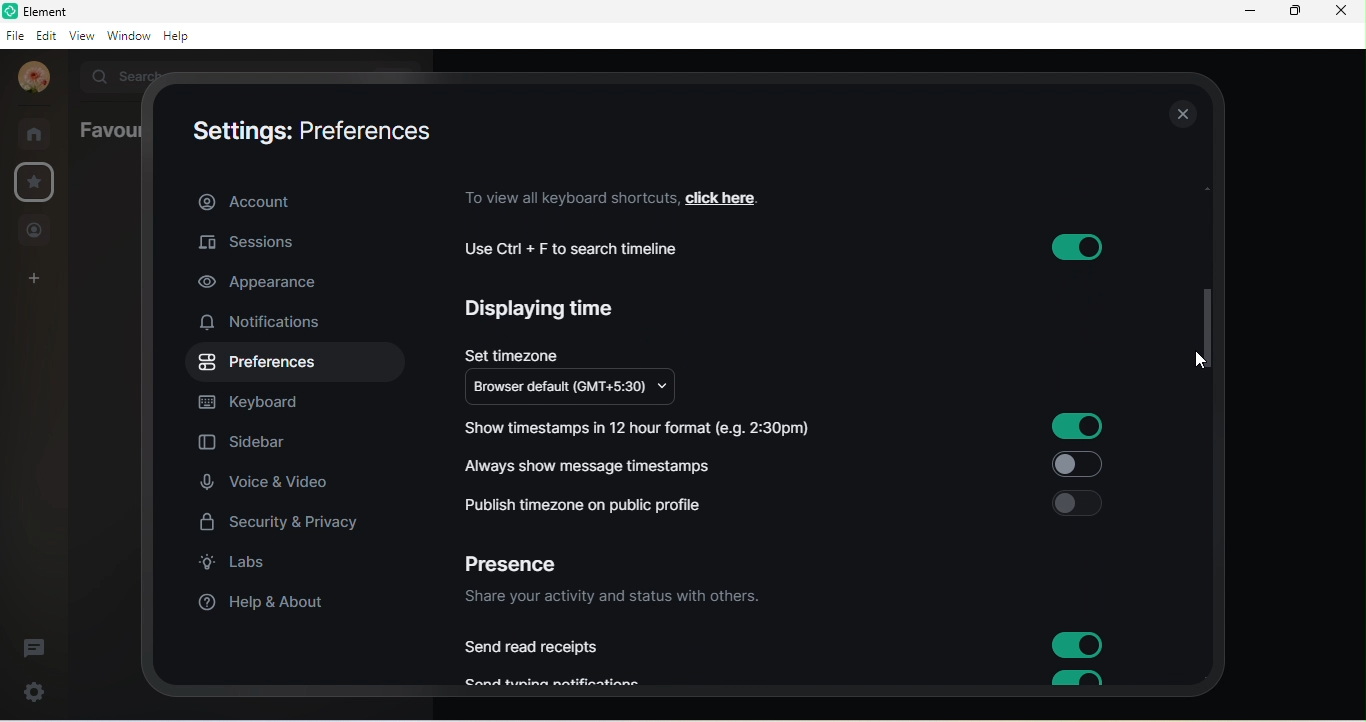 This screenshot has width=1366, height=722. Describe the element at coordinates (567, 197) in the screenshot. I see `to view all keyboard shortcuts,` at that location.